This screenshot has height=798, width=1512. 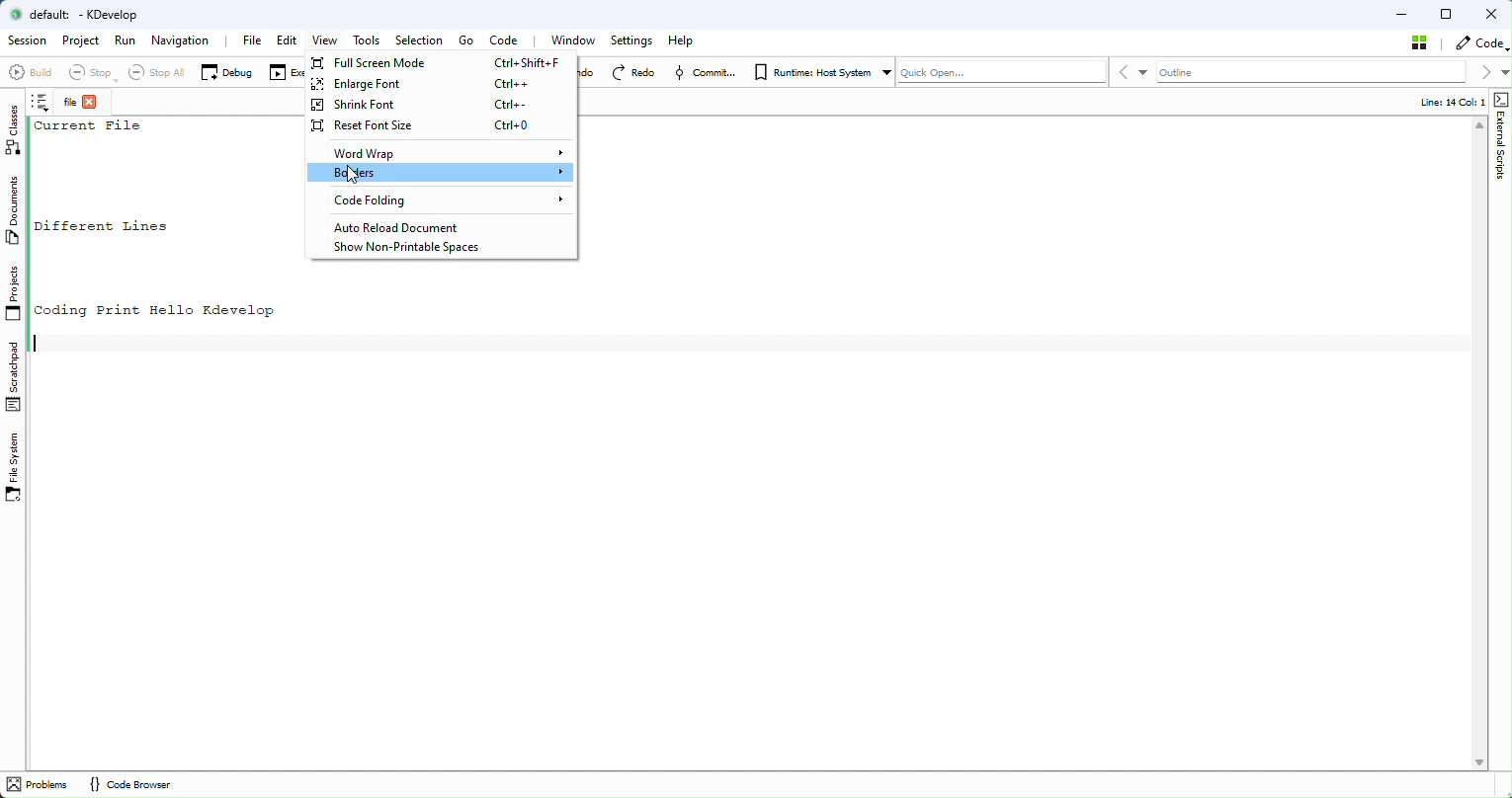 What do you see at coordinates (14, 296) in the screenshot?
I see `Projects` at bounding box center [14, 296].